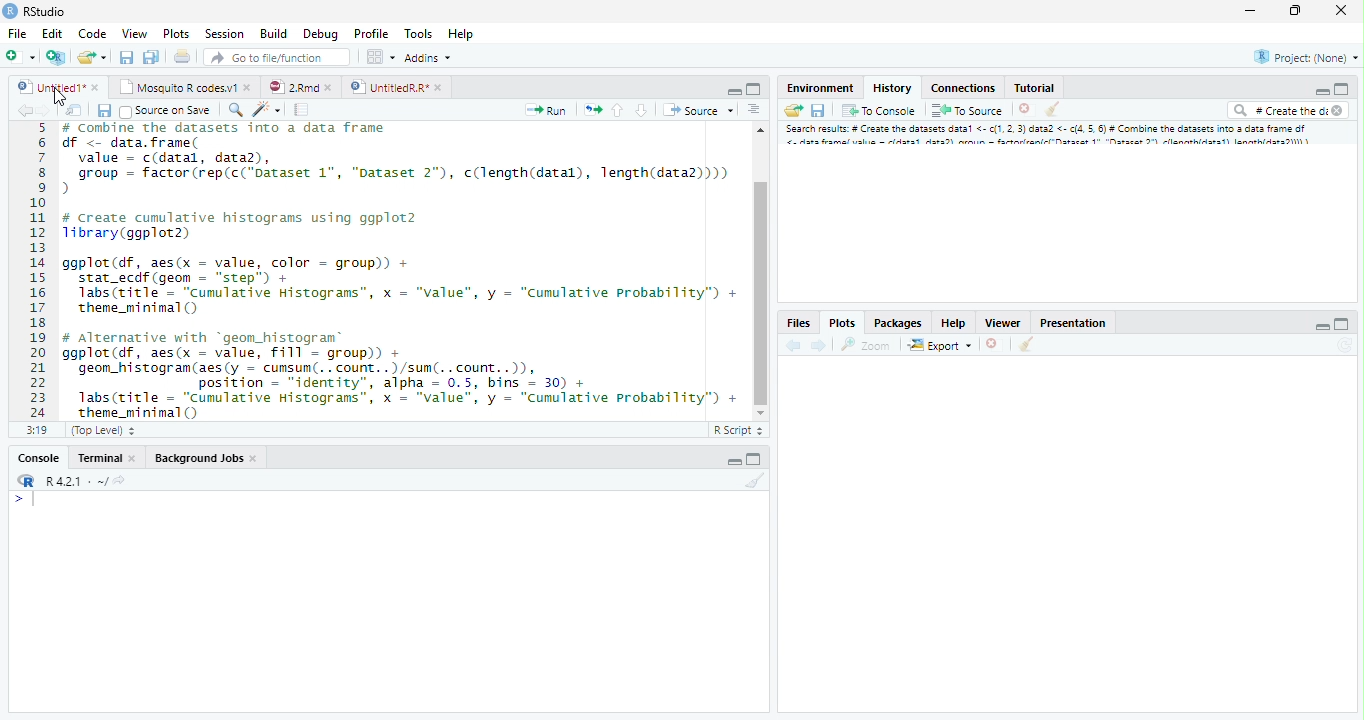 Image resolution: width=1364 pixels, height=720 pixels. I want to click on Minimize, so click(1253, 11).